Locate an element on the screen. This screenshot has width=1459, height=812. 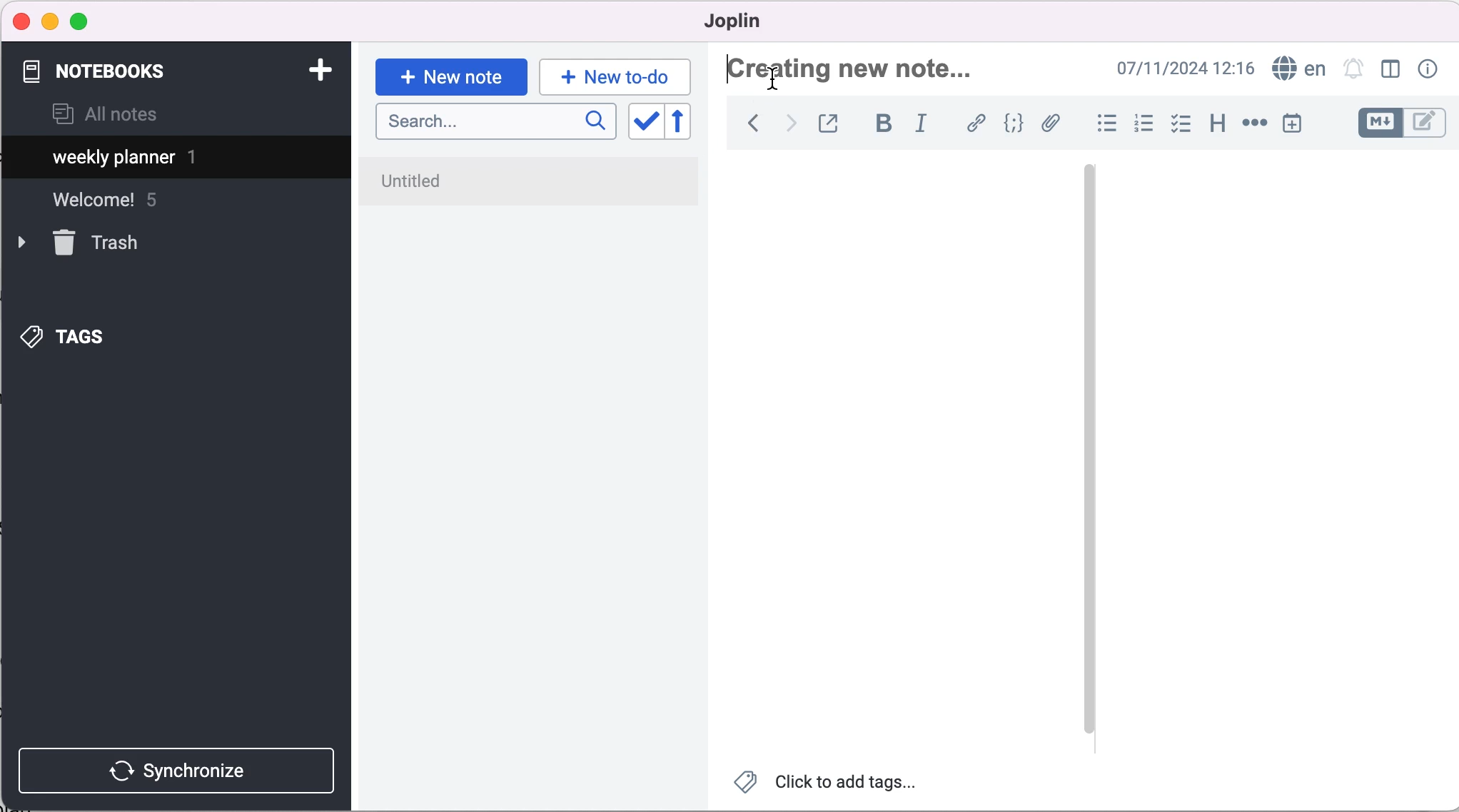
blank canvas is located at coordinates (901, 454).